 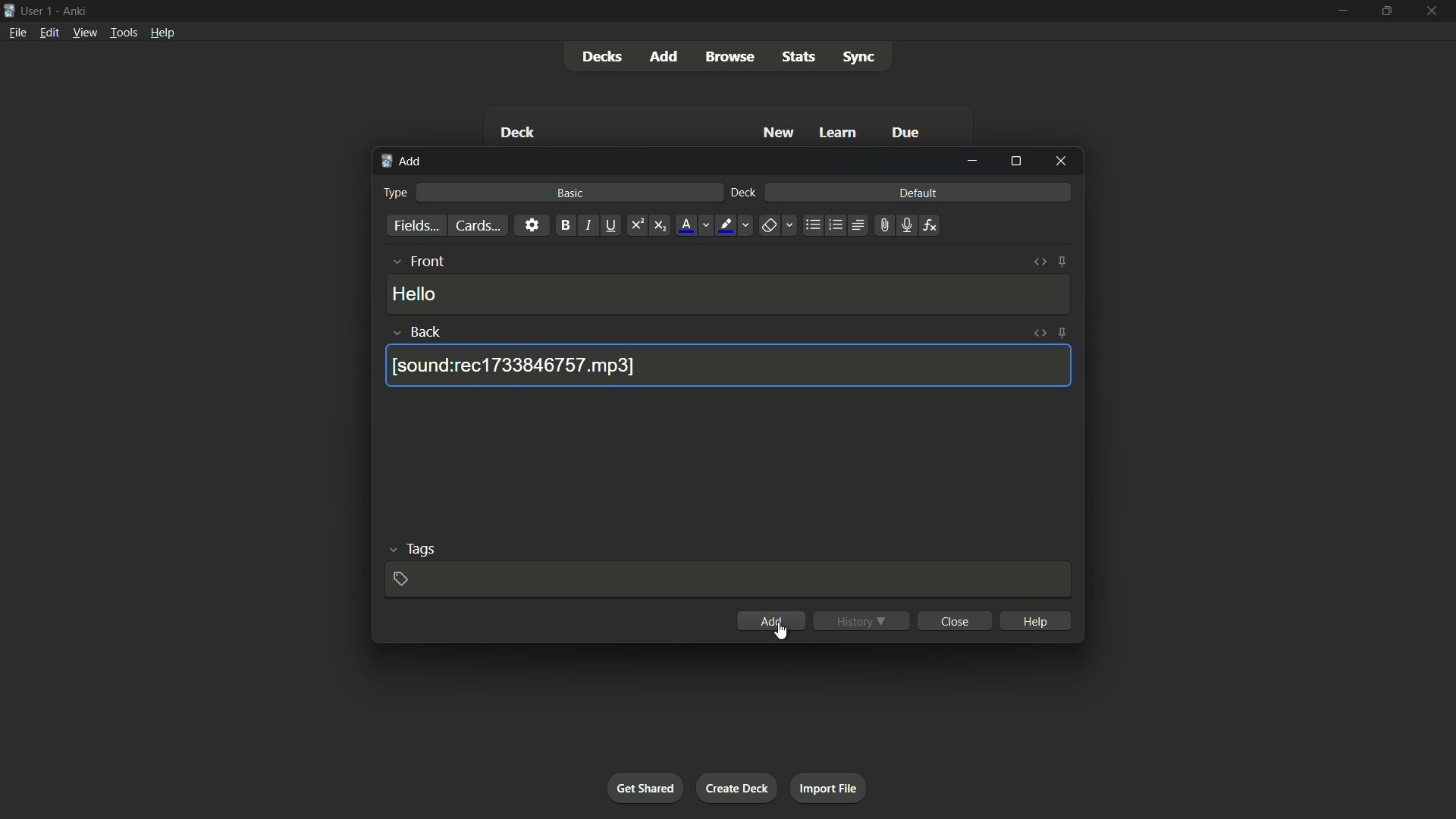 I want to click on close window, so click(x=1061, y=162).